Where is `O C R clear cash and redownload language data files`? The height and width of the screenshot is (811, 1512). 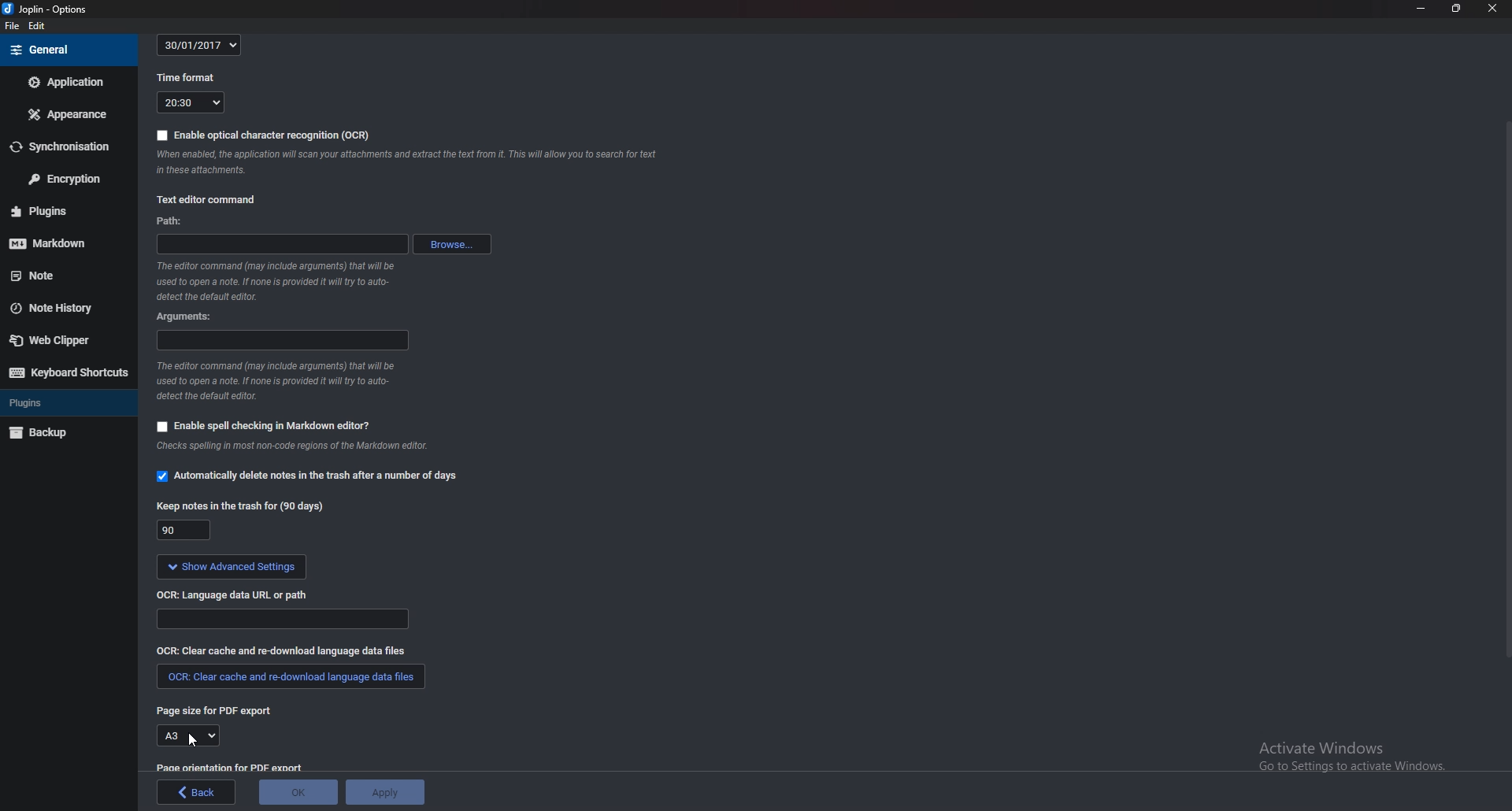
O C R clear cash and redownload language data files is located at coordinates (298, 650).